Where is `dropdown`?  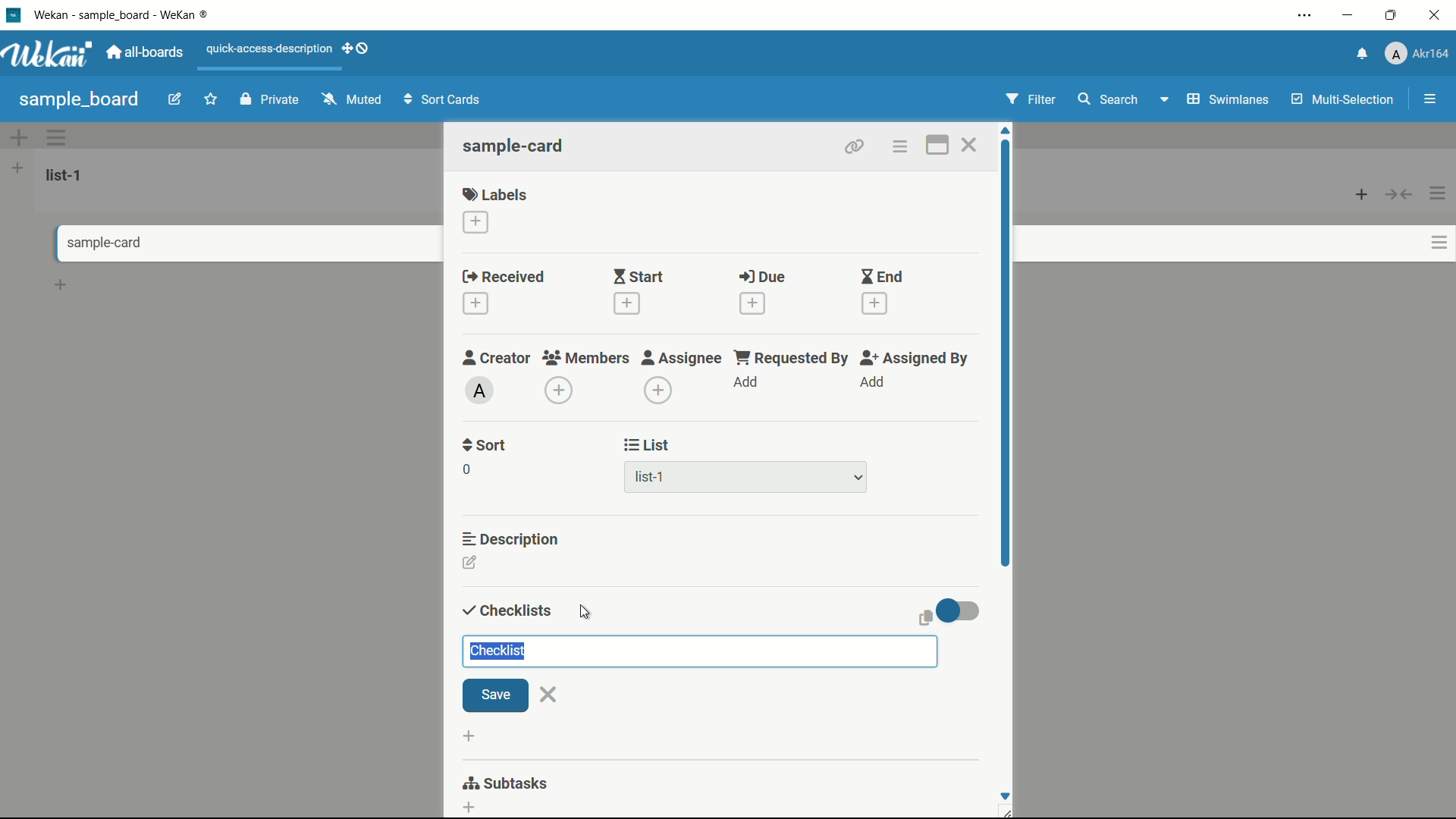
dropdown is located at coordinates (858, 479).